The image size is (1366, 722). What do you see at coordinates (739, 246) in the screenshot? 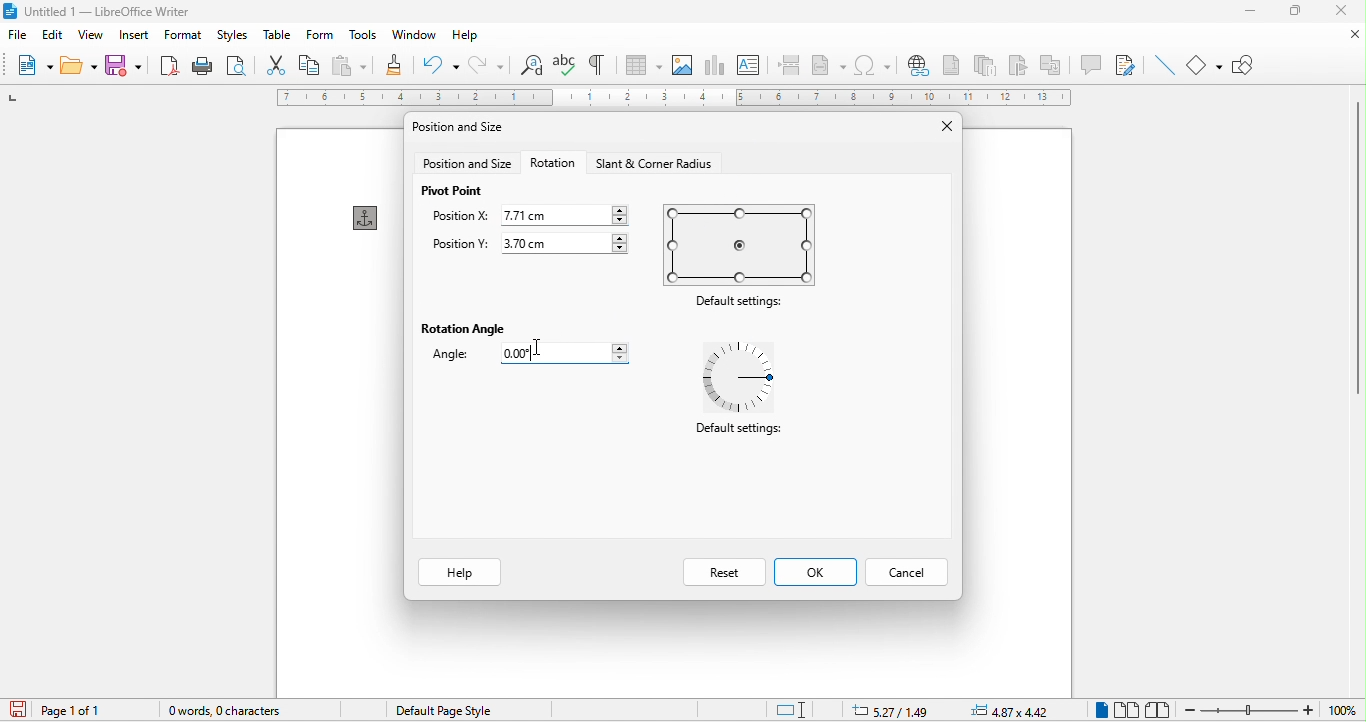
I see `default settings` at bounding box center [739, 246].